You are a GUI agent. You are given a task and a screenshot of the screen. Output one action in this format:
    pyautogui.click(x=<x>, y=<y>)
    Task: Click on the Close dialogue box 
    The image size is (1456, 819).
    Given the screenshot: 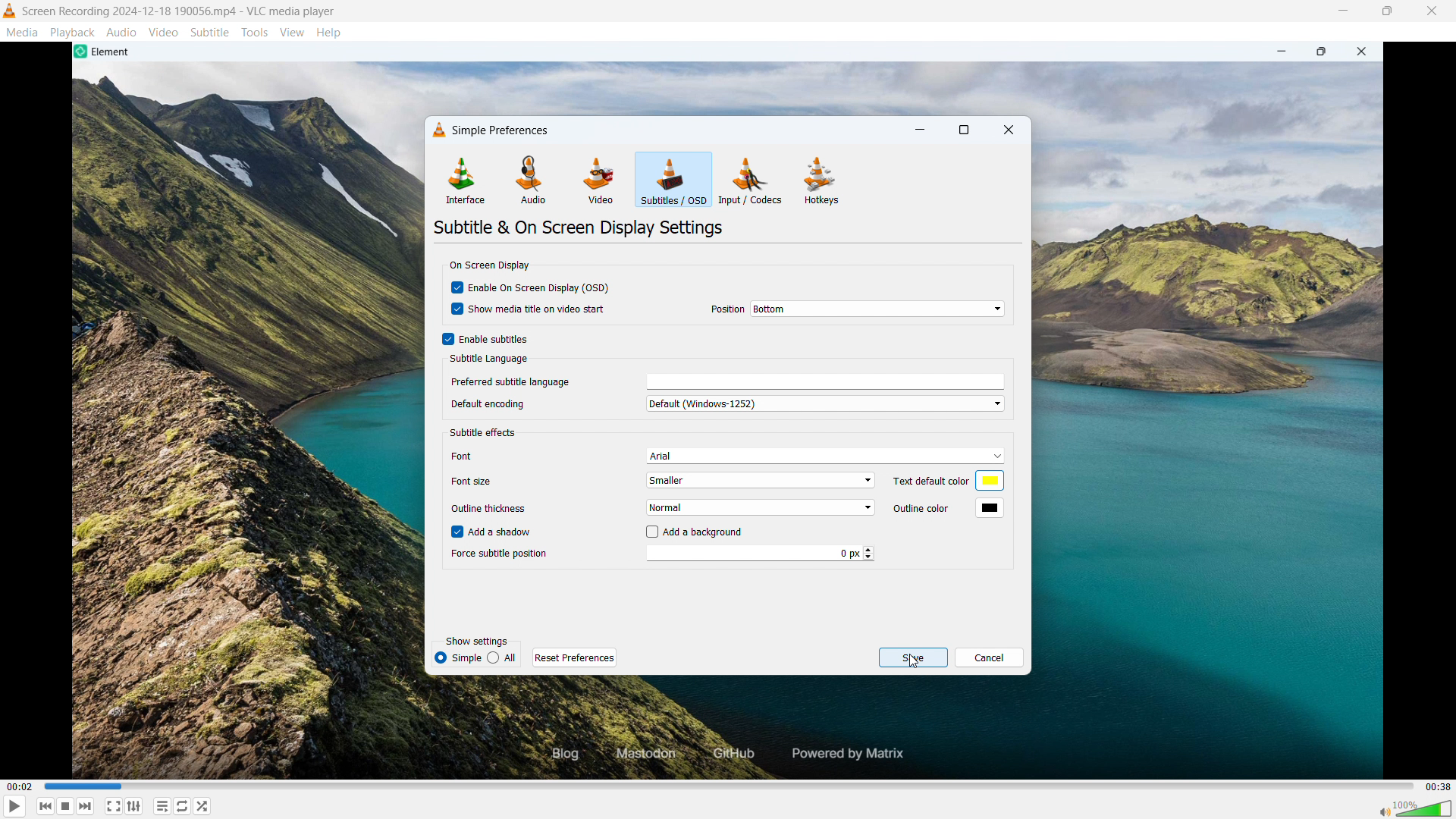 What is the action you would take?
    pyautogui.click(x=1009, y=130)
    